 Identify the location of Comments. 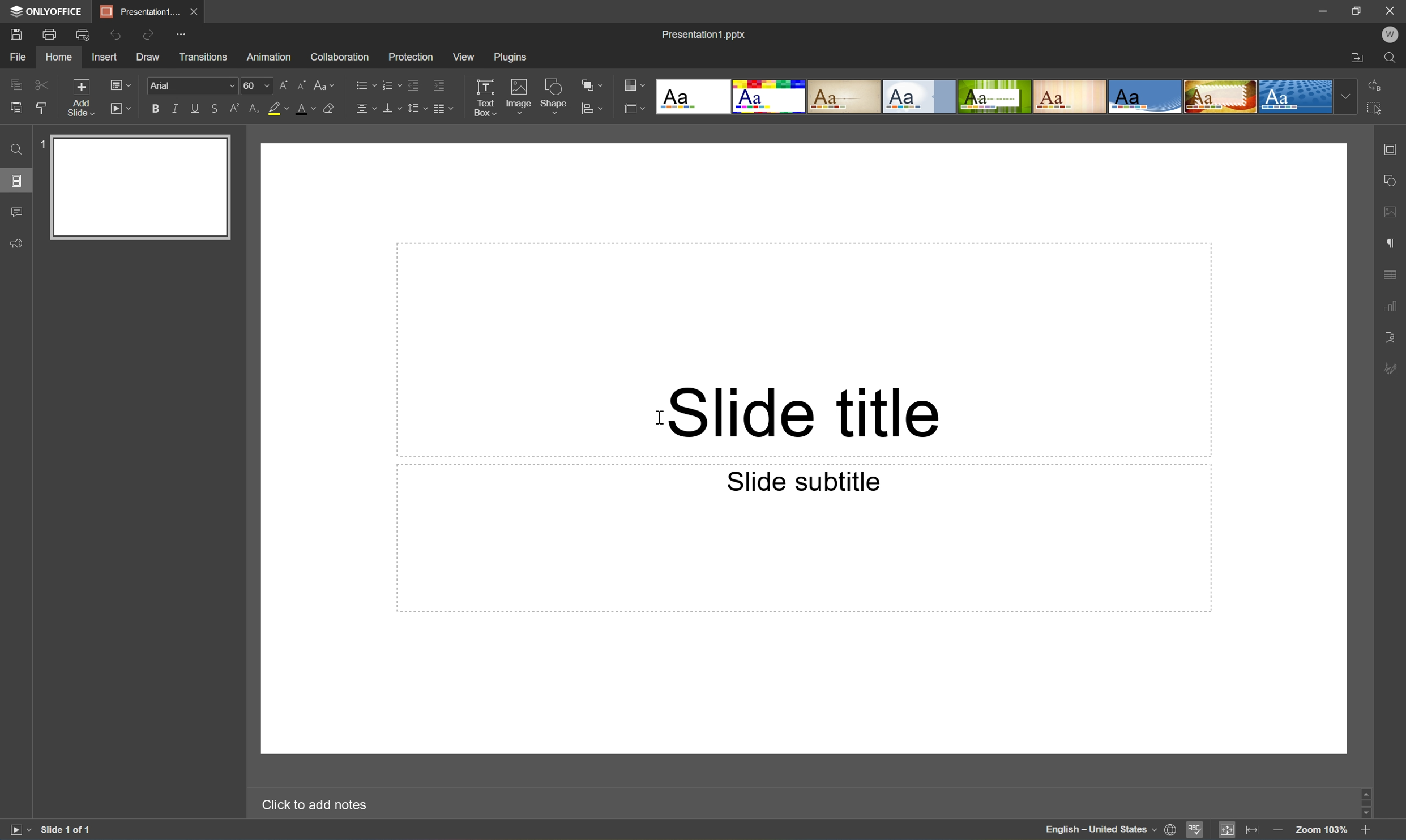
(18, 211).